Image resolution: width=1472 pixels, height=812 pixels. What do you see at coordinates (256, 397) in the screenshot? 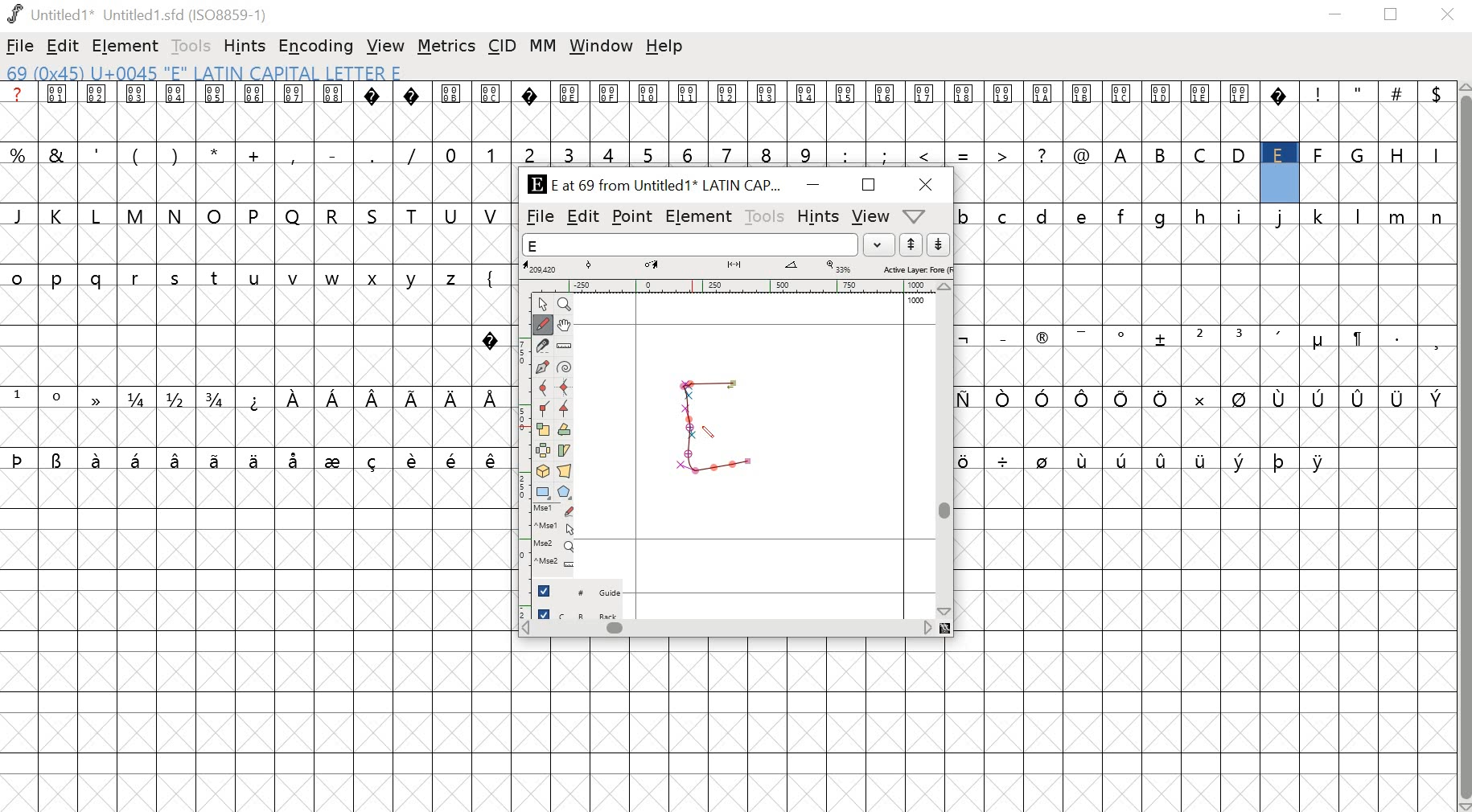
I see `special characters` at bounding box center [256, 397].